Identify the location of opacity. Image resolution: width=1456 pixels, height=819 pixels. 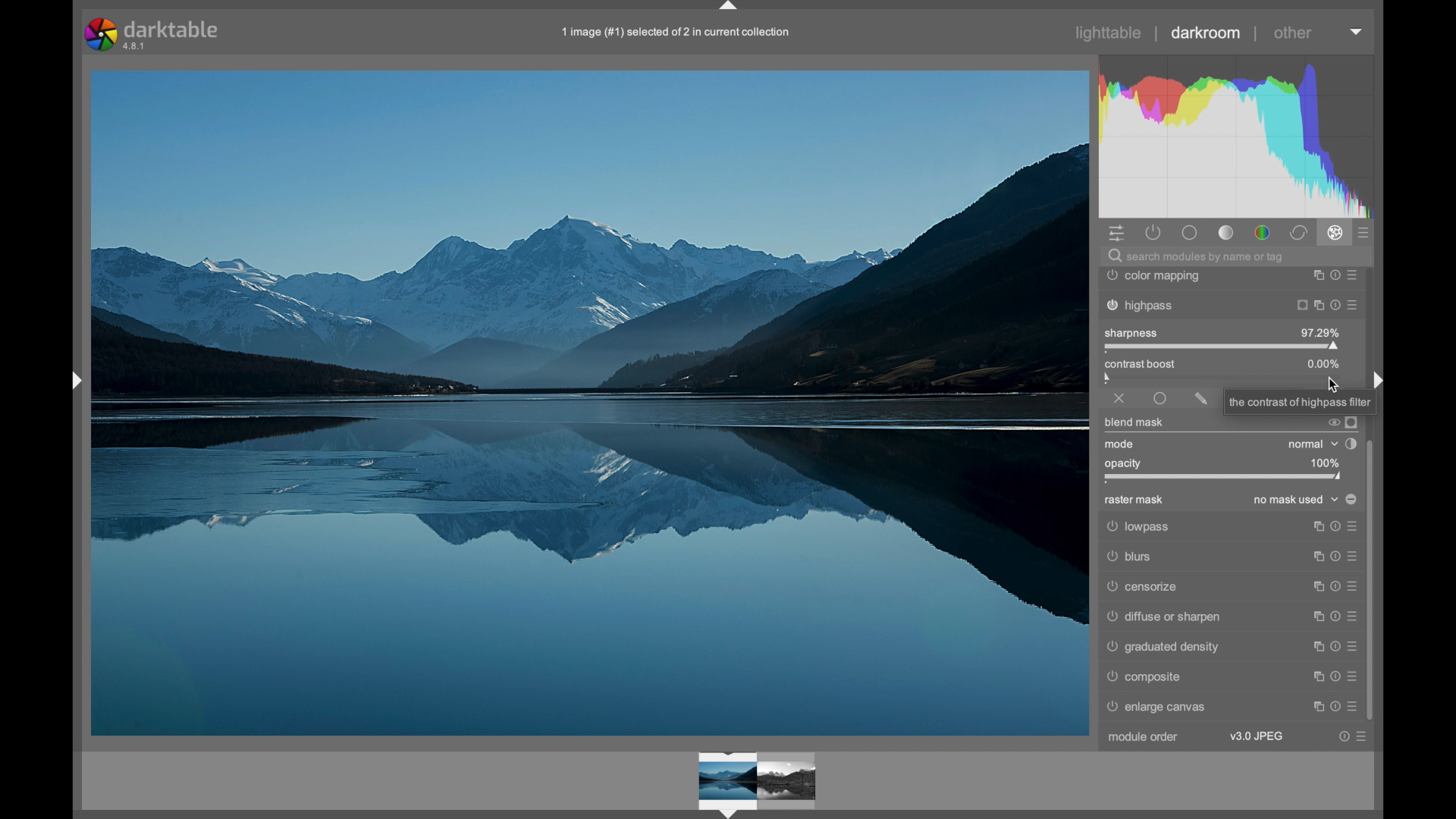
(1125, 463).